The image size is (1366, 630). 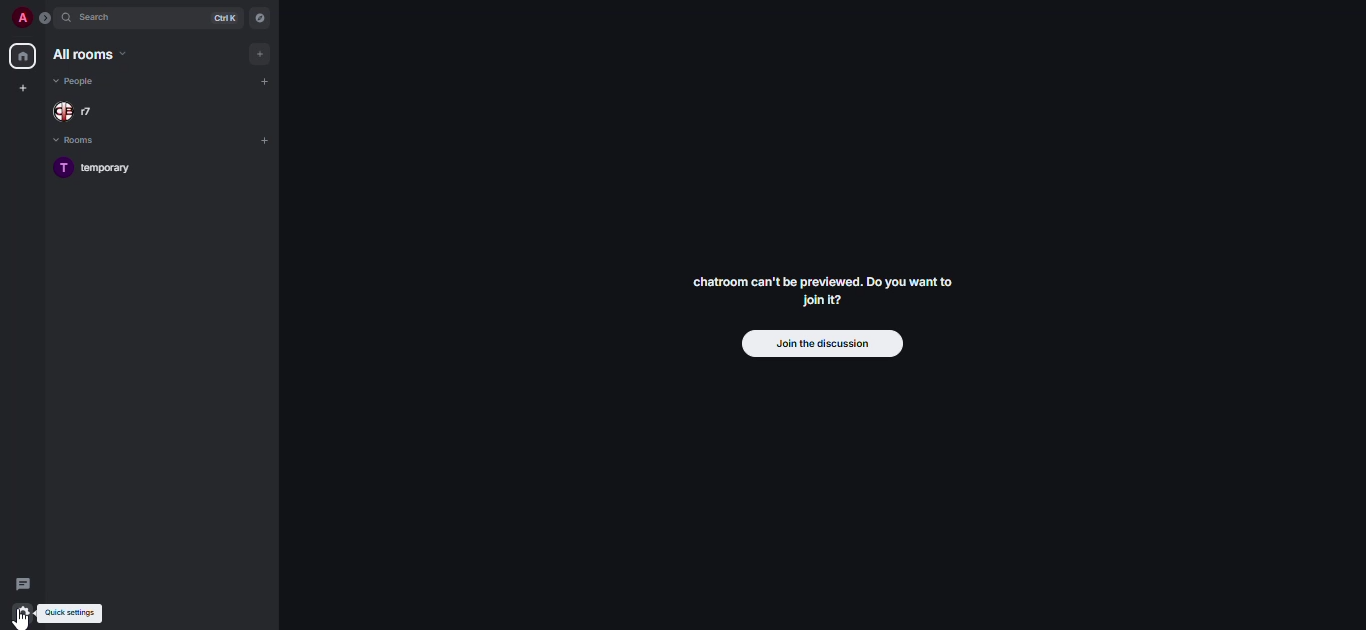 What do you see at coordinates (24, 583) in the screenshot?
I see `threads` at bounding box center [24, 583].